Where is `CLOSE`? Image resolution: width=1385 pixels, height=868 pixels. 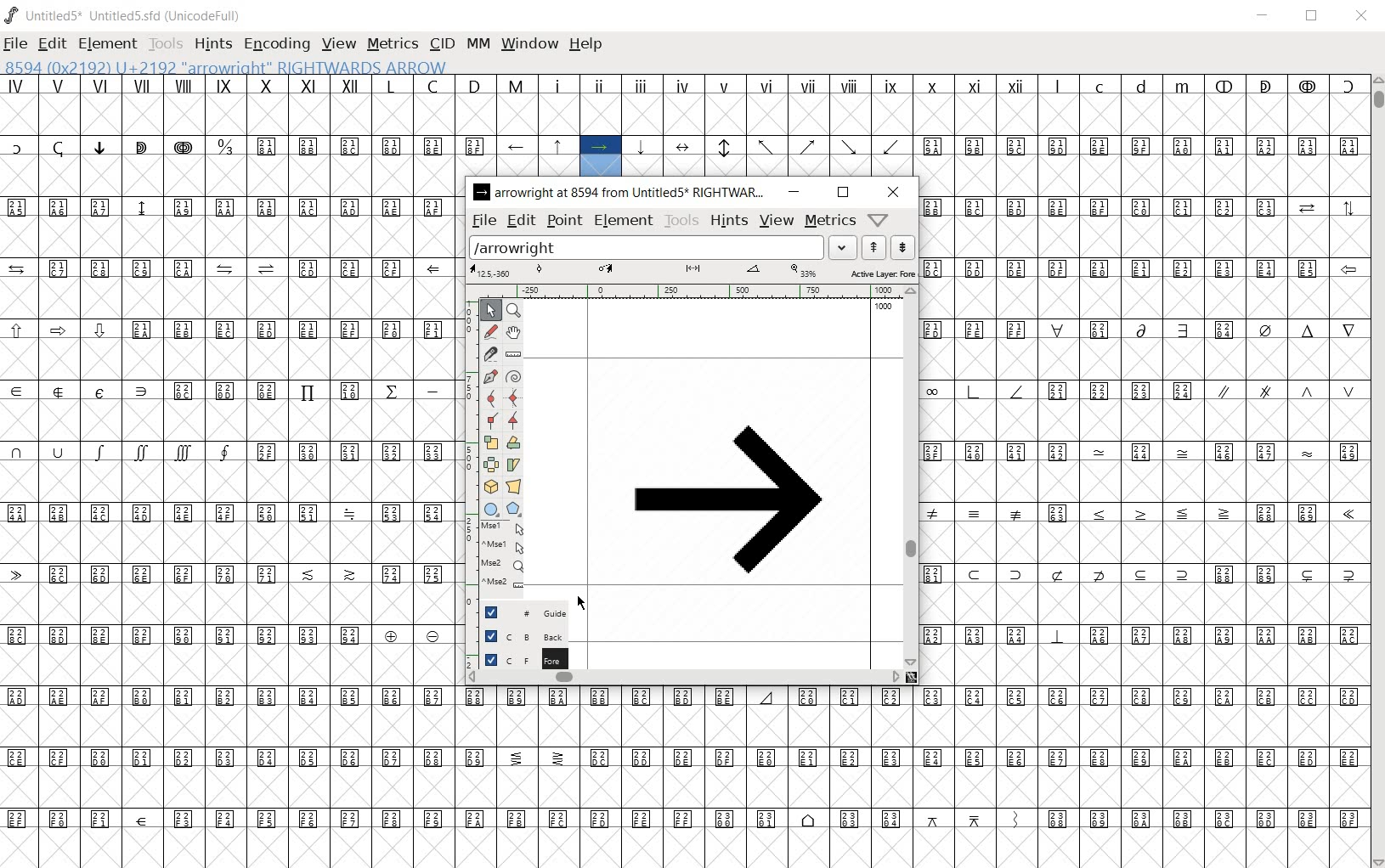
CLOSE is located at coordinates (1361, 18).